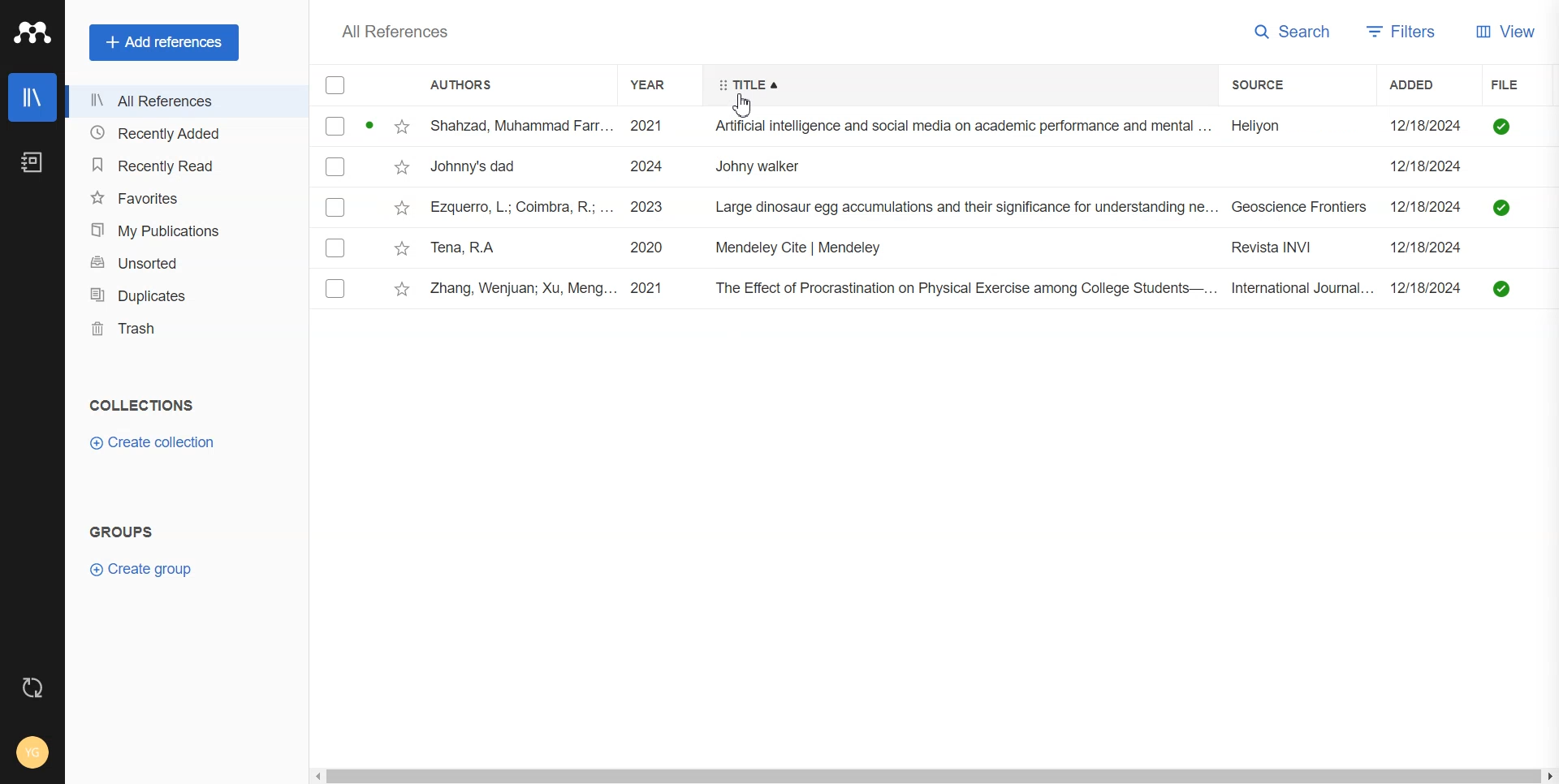 This screenshot has width=1559, height=784. I want to click on select entry, so click(335, 208).